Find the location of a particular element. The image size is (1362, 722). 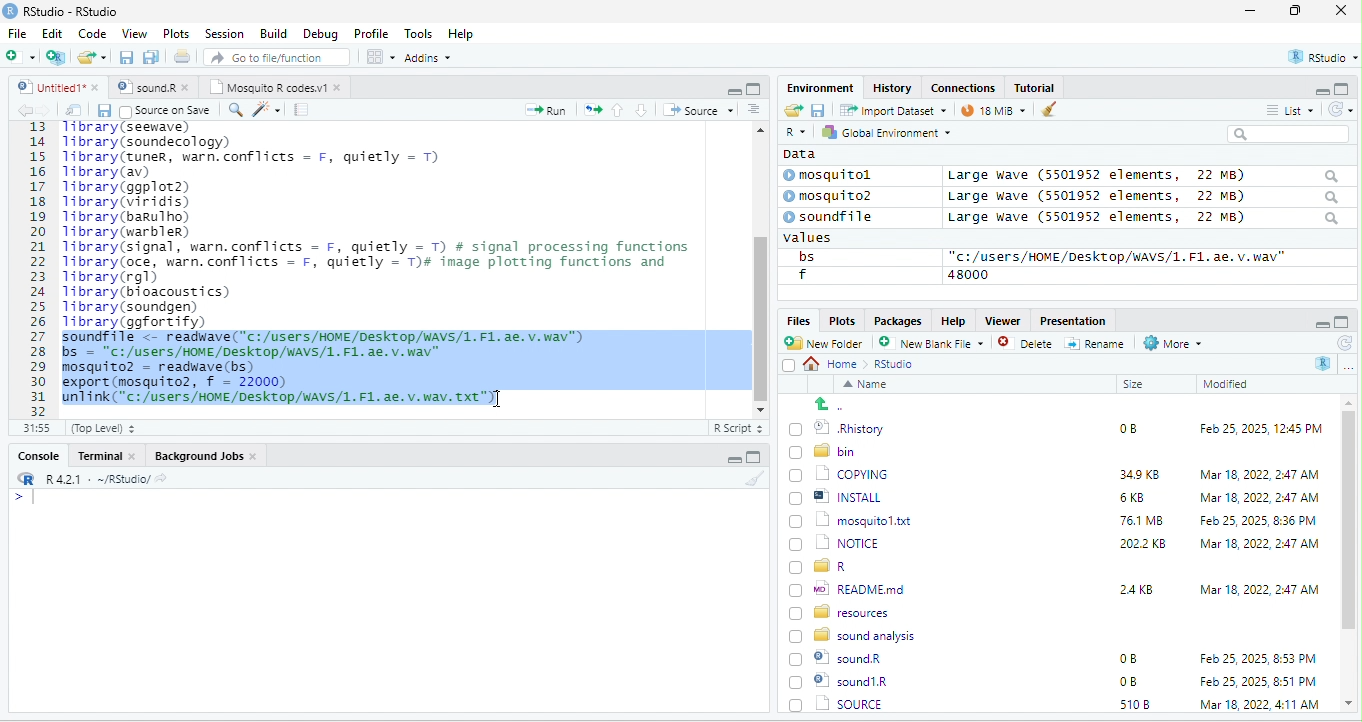

maximize is located at coordinates (1344, 88).